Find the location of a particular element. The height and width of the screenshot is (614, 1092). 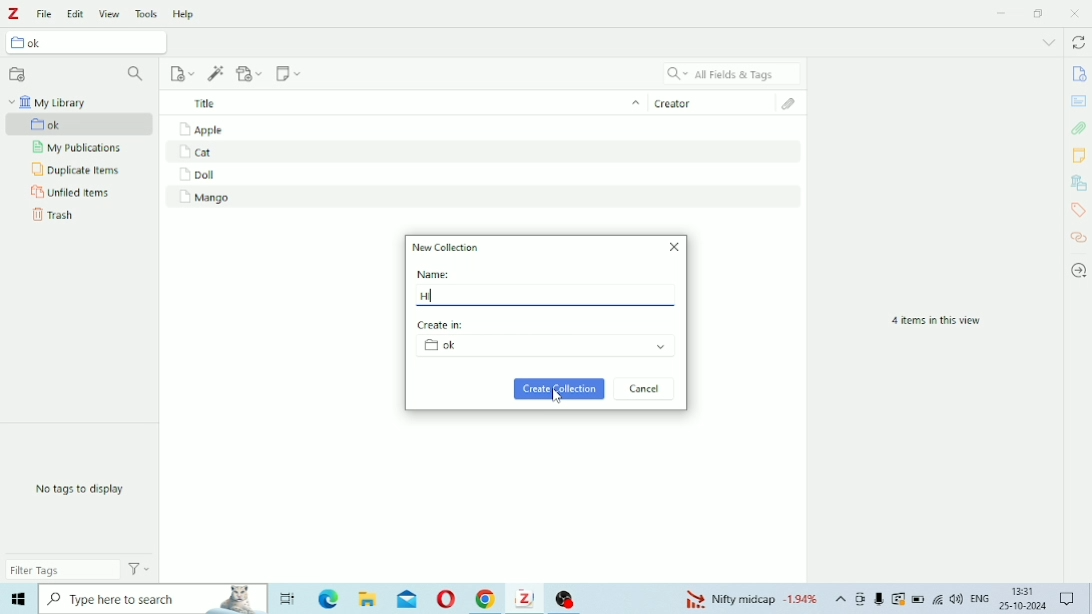

HI is located at coordinates (433, 294).